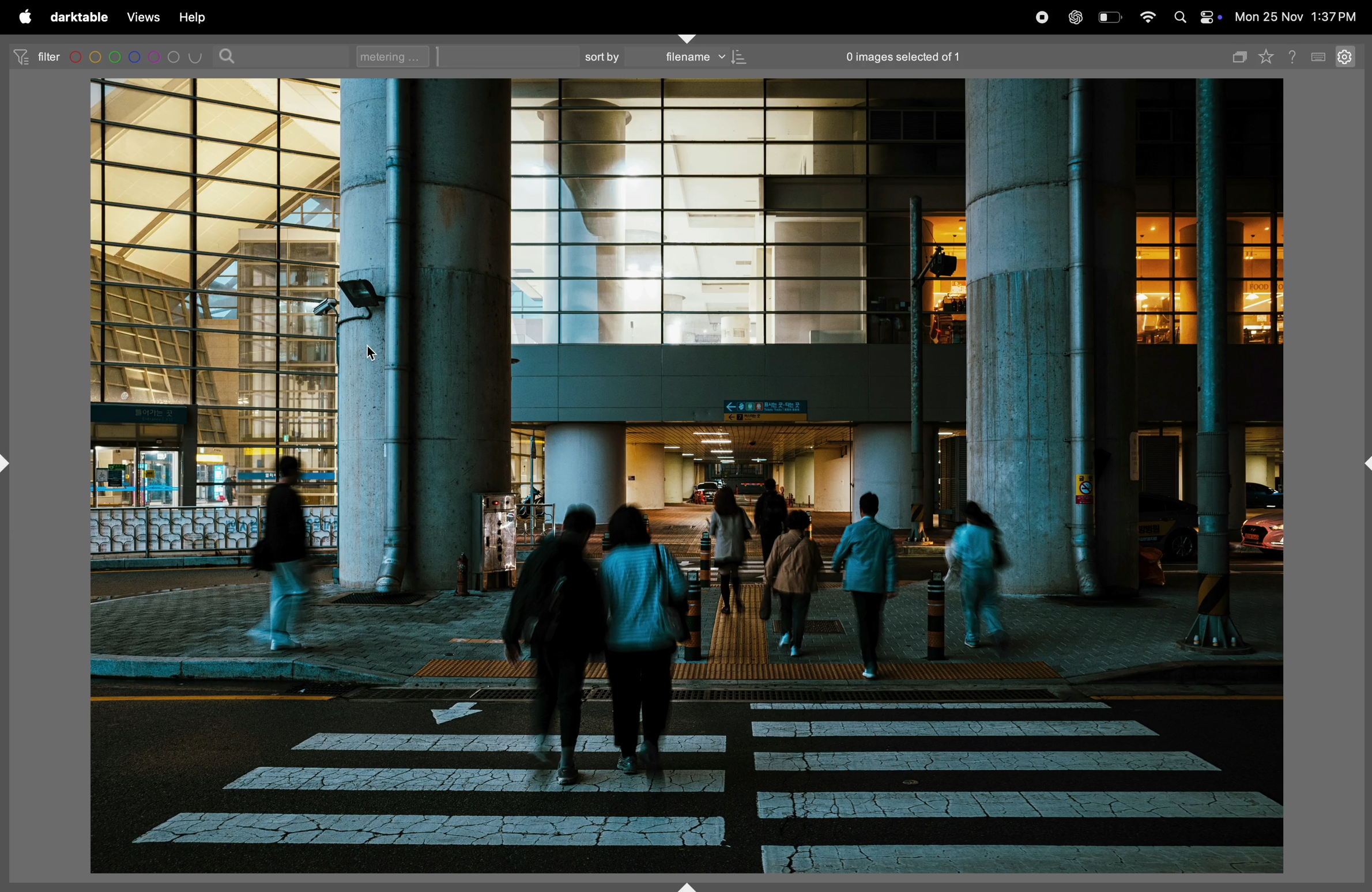  I want to click on copy, so click(1240, 55).